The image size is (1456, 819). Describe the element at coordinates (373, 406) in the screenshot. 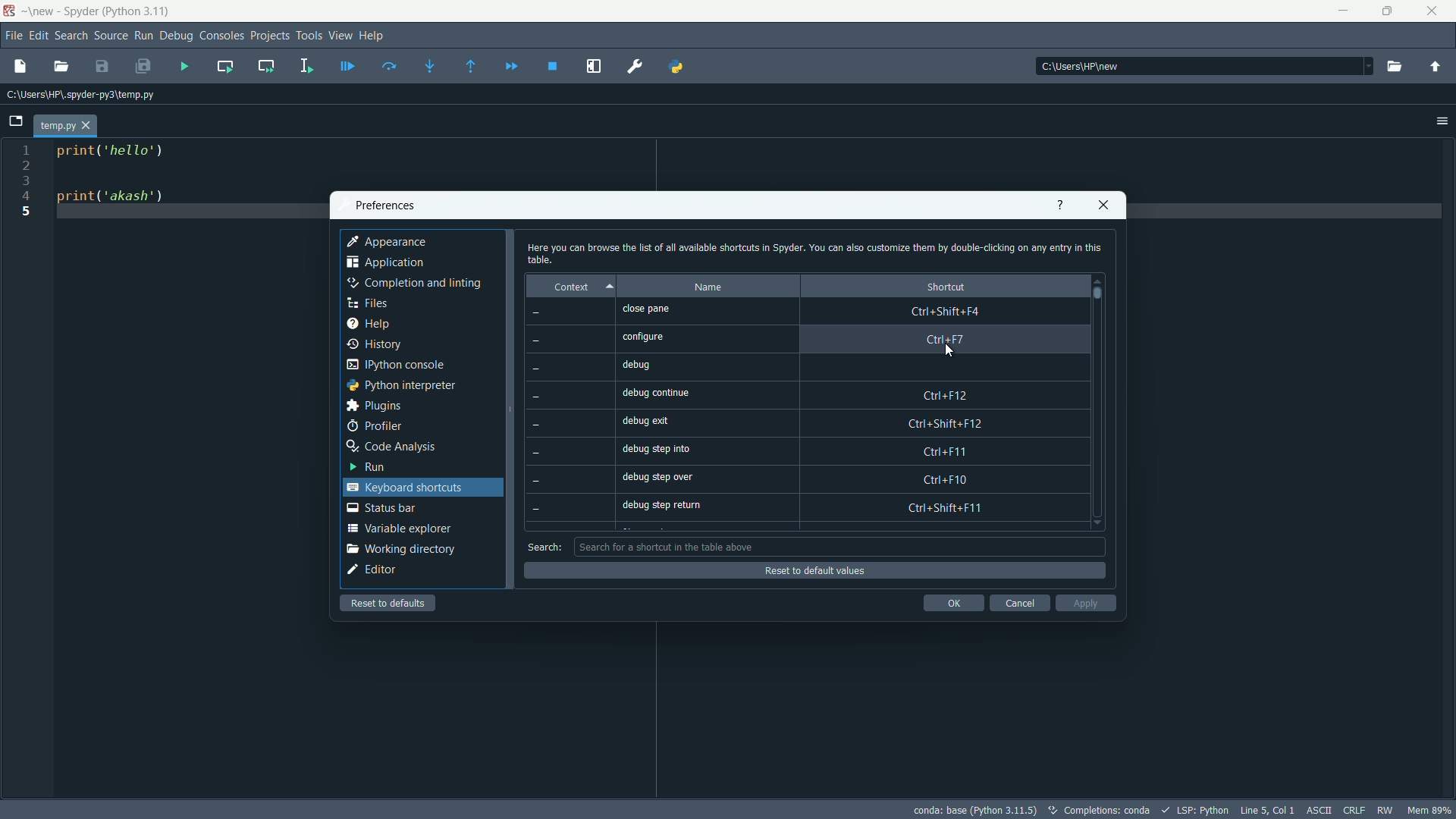

I see `plugins` at that location.